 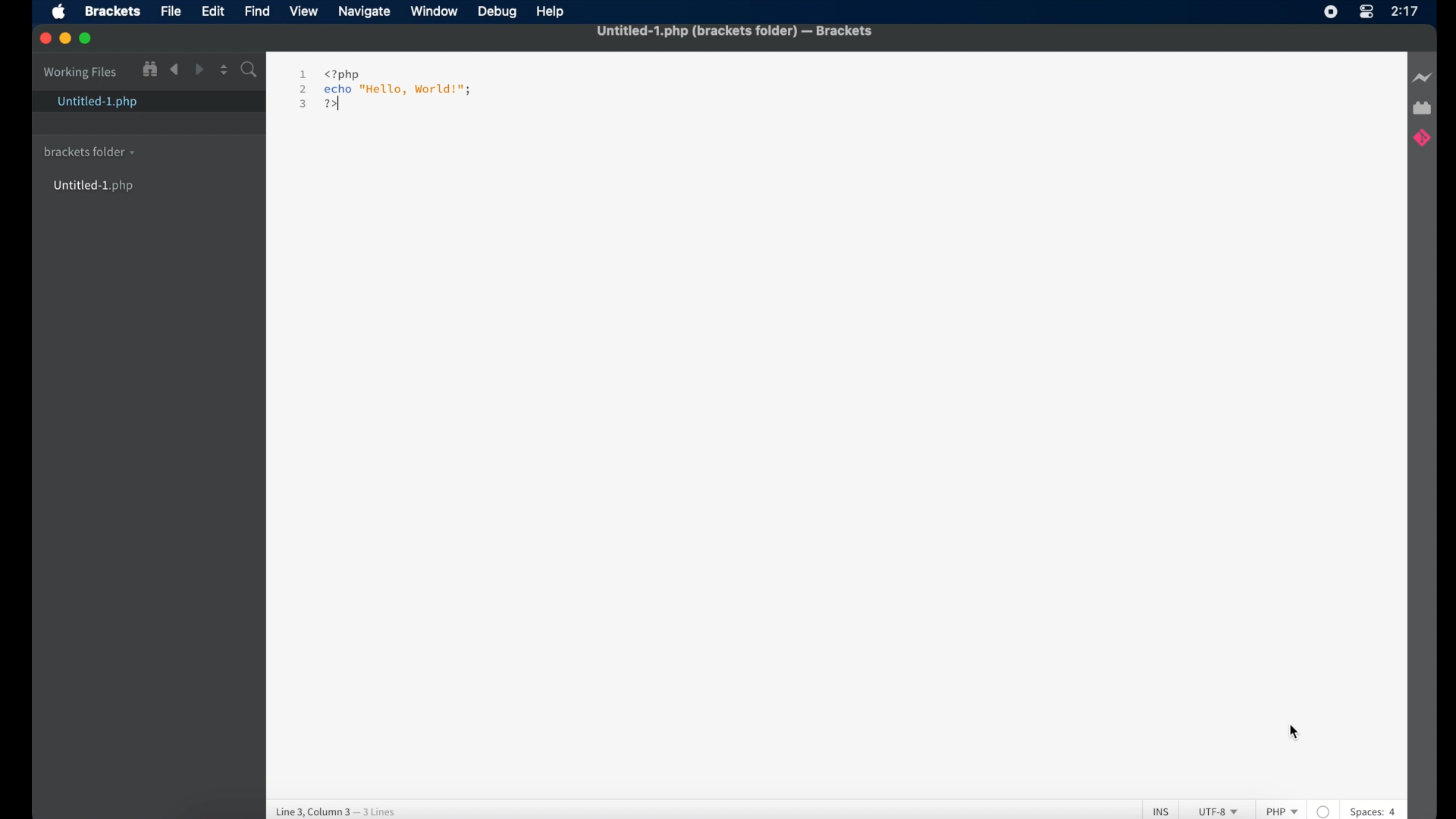 What do you see at coordinates (1423, 78) in the screenshot?
I see `live preview` at bounding box center [1423, 78].